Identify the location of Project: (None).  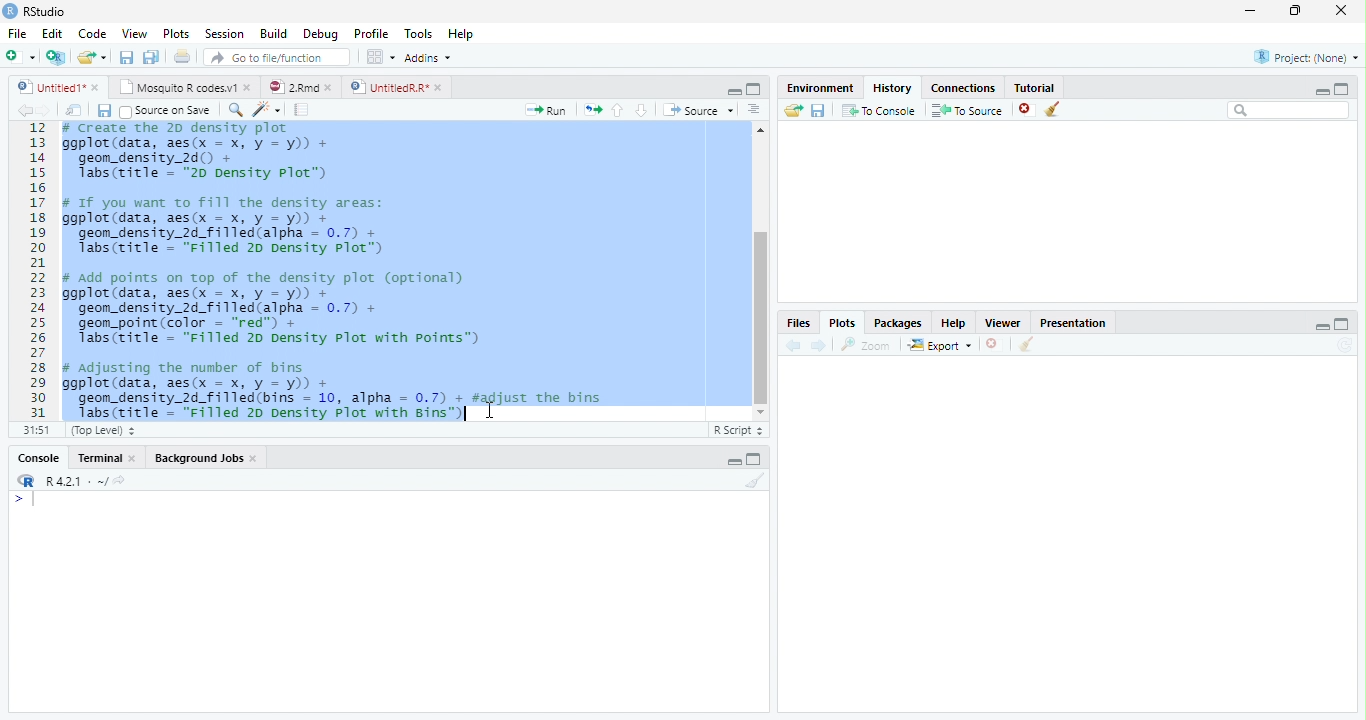
(1305, 57).